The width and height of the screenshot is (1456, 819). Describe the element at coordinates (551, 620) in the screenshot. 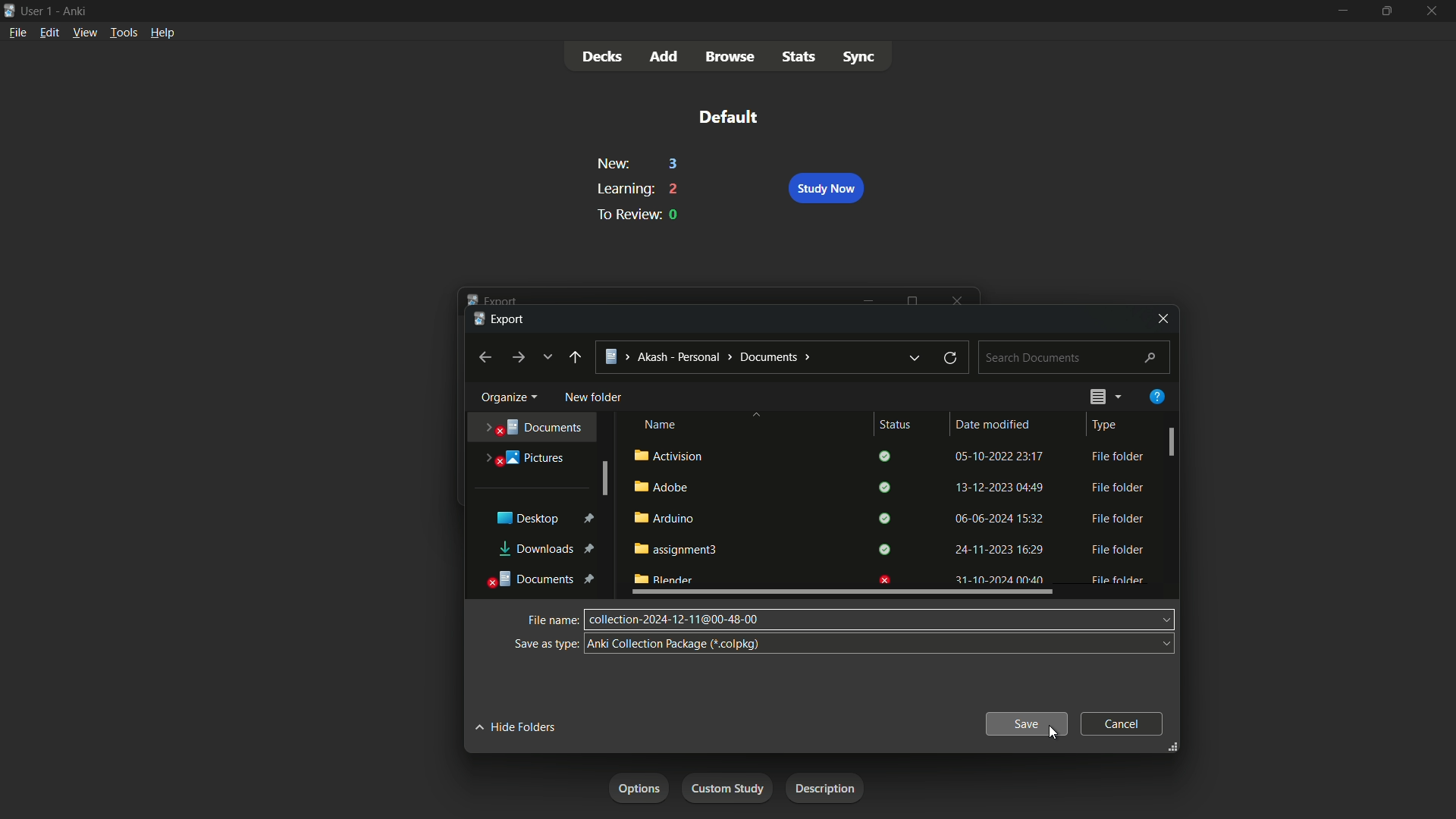

I see `file name` at that location.